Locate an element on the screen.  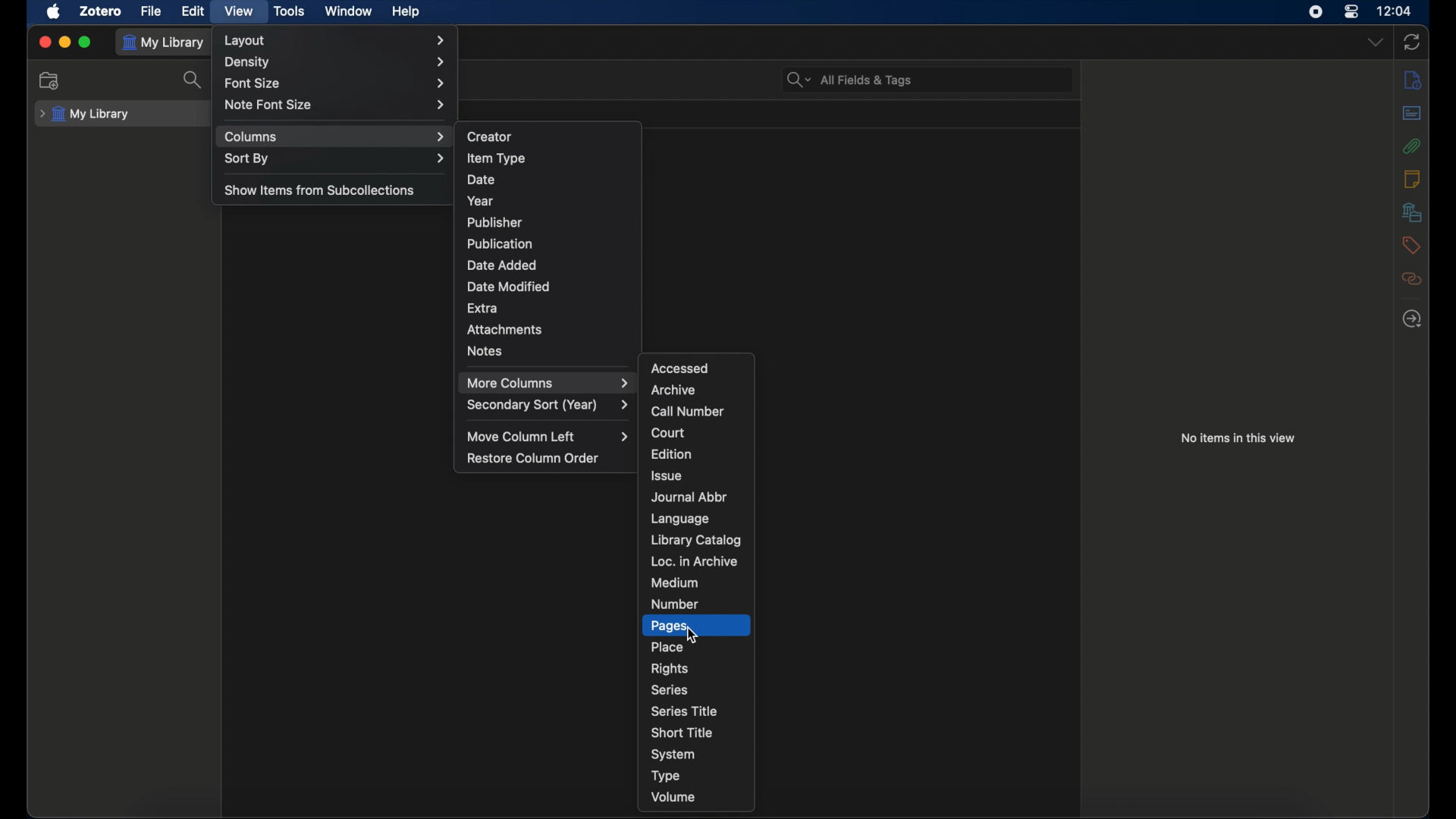
series is located at coordinates (670, 689).